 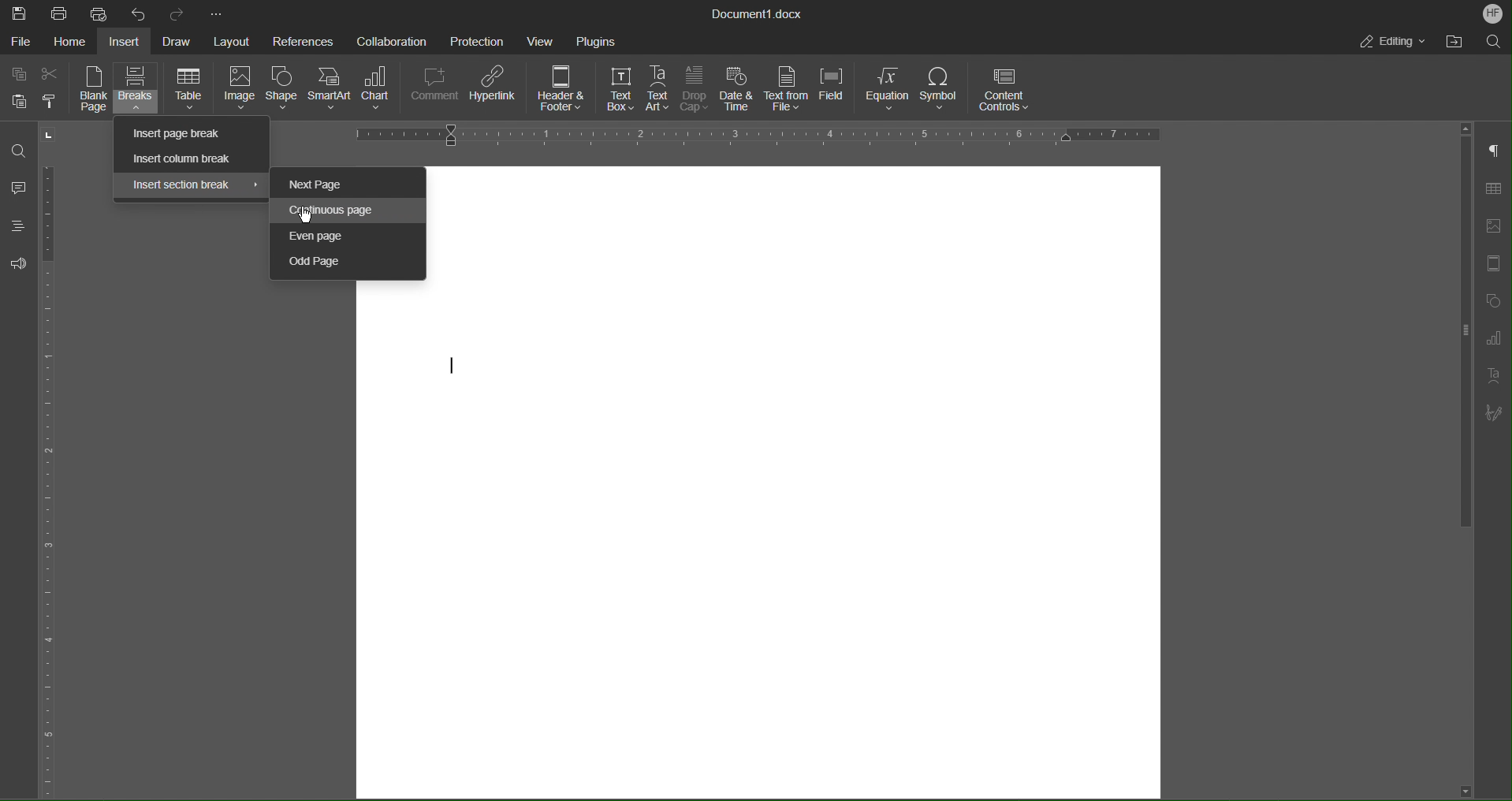 What do you see at coordinates (787, 89) in the screenshot?
I see `Text from File` at bounding box center [787, 89].